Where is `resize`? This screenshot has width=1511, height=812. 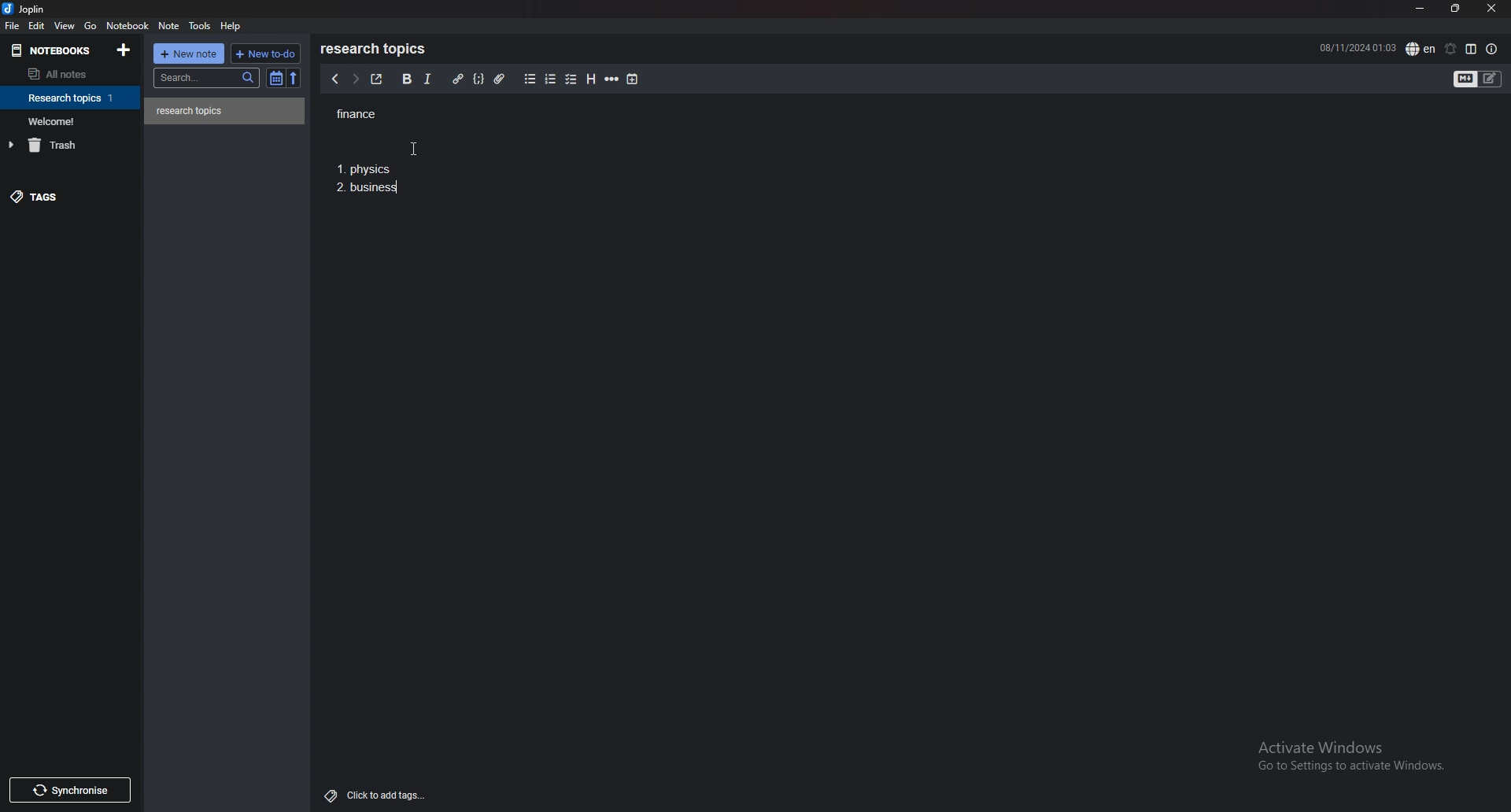 resize is located at coordinates (1454, 8).